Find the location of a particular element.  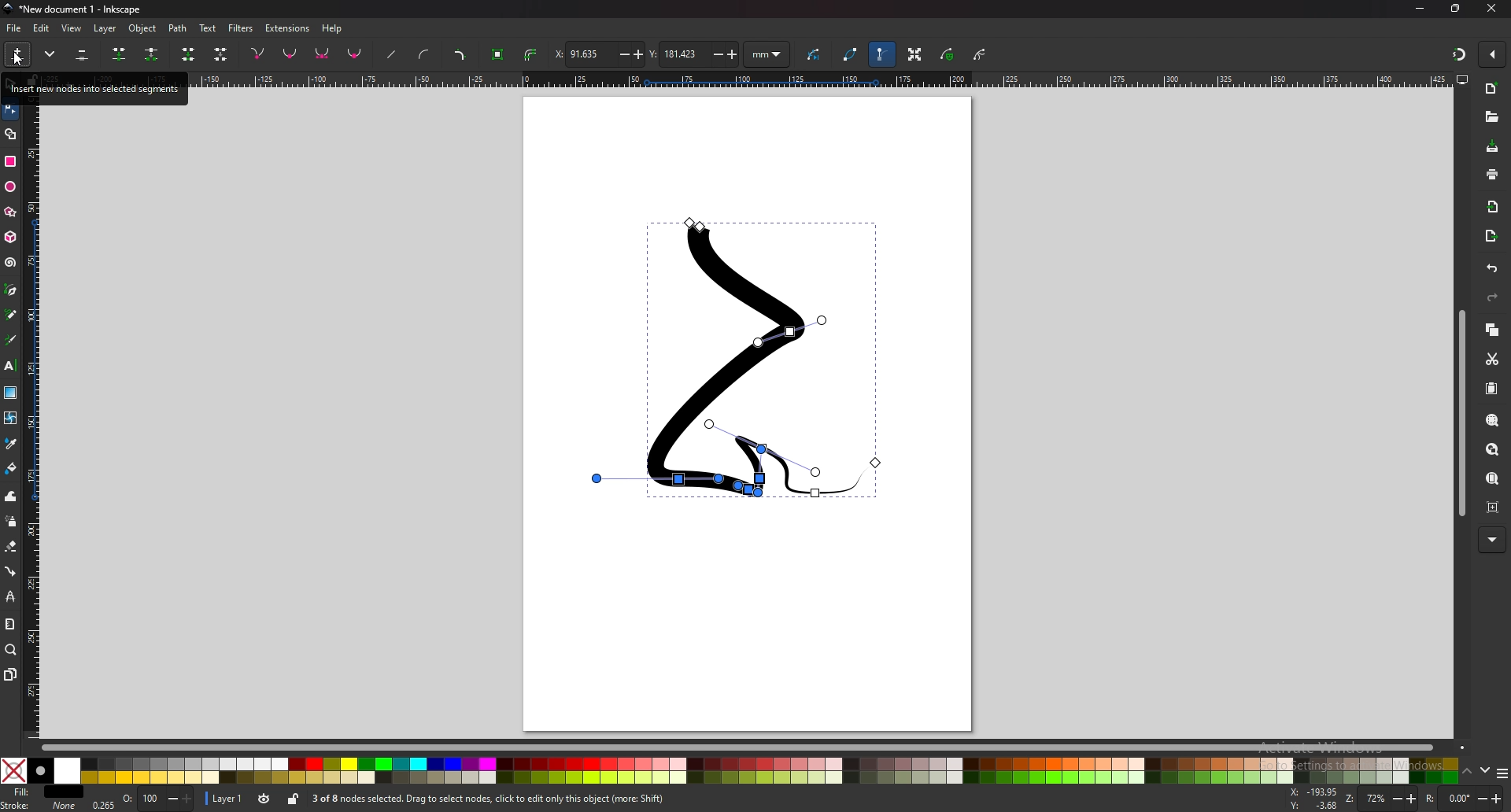

scroll bar is located at coordinates (747, 747).